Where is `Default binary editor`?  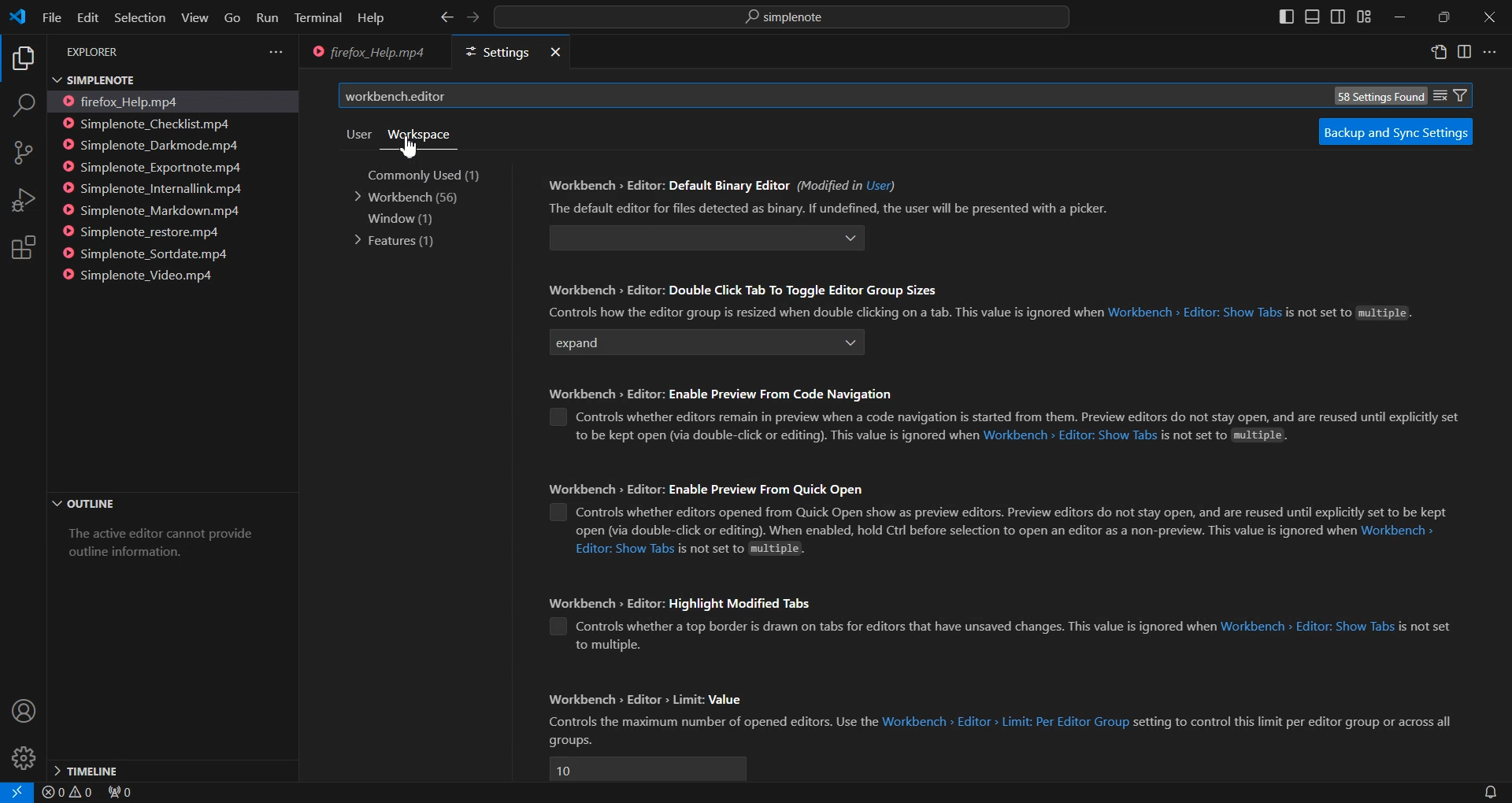 Default binary editor is located at coordinates (681, 238).